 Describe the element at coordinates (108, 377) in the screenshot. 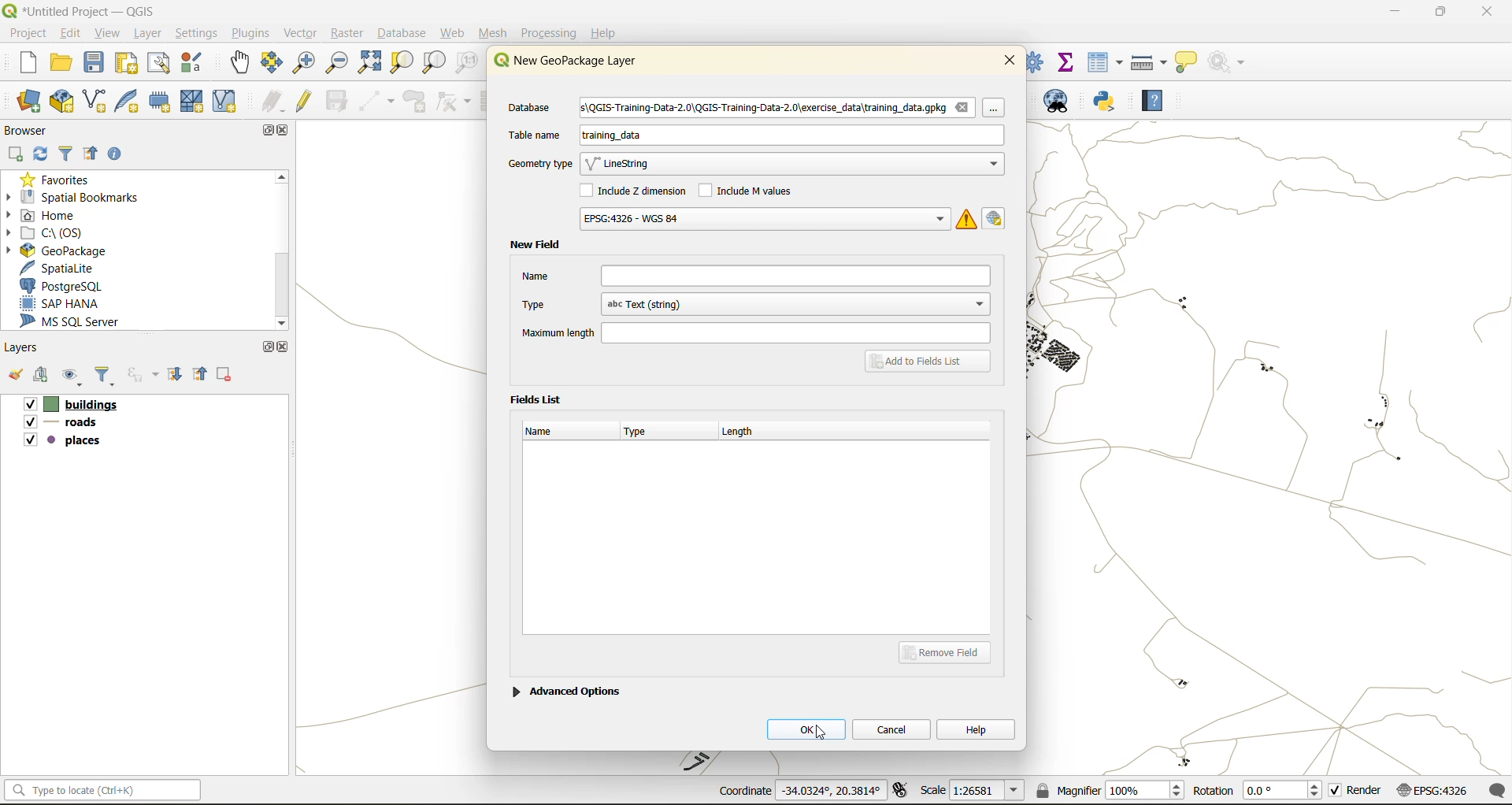

I see `filter` at that location.